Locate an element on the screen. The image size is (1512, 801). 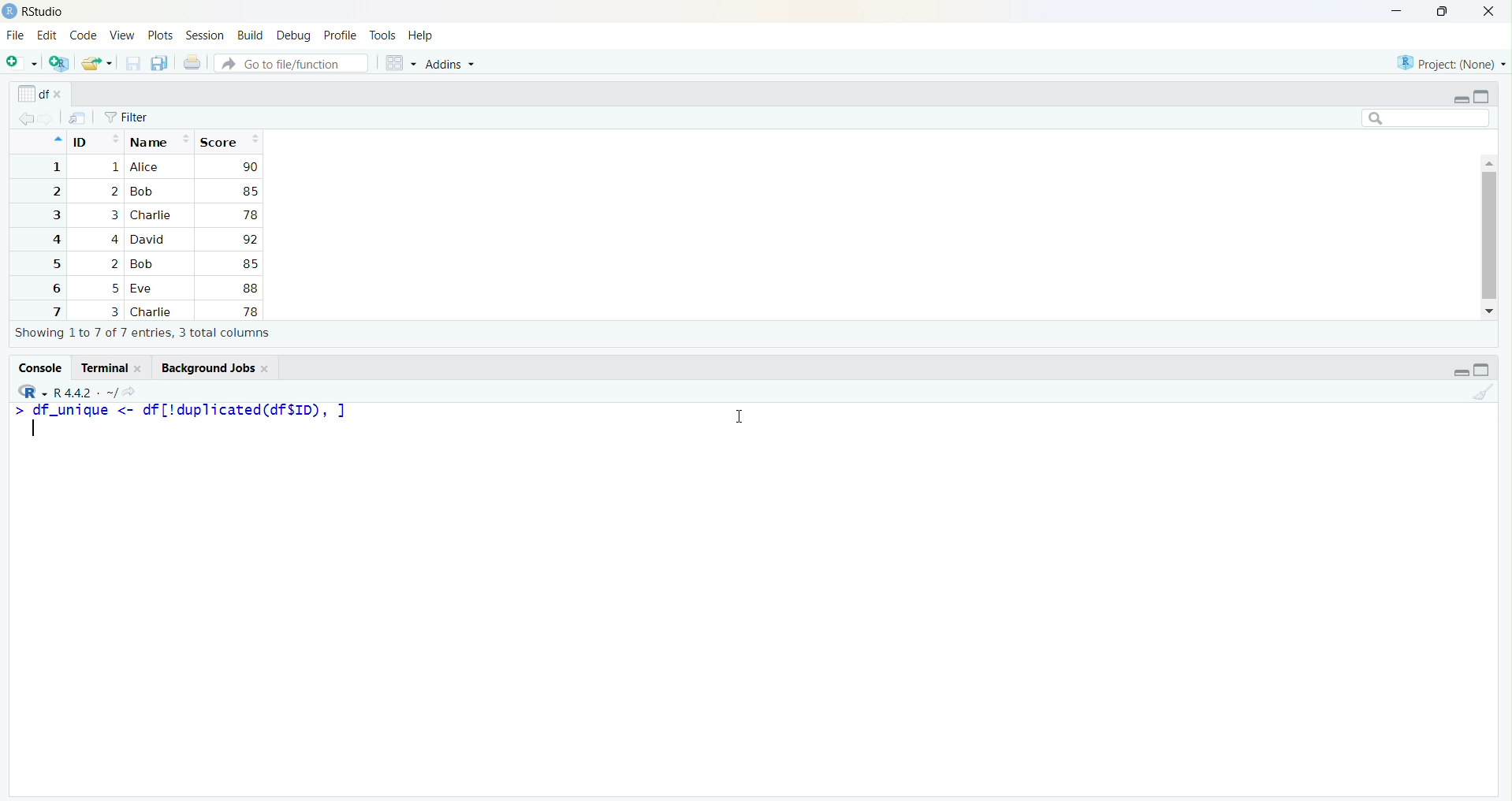
Session is located at coordinates (206, 35).